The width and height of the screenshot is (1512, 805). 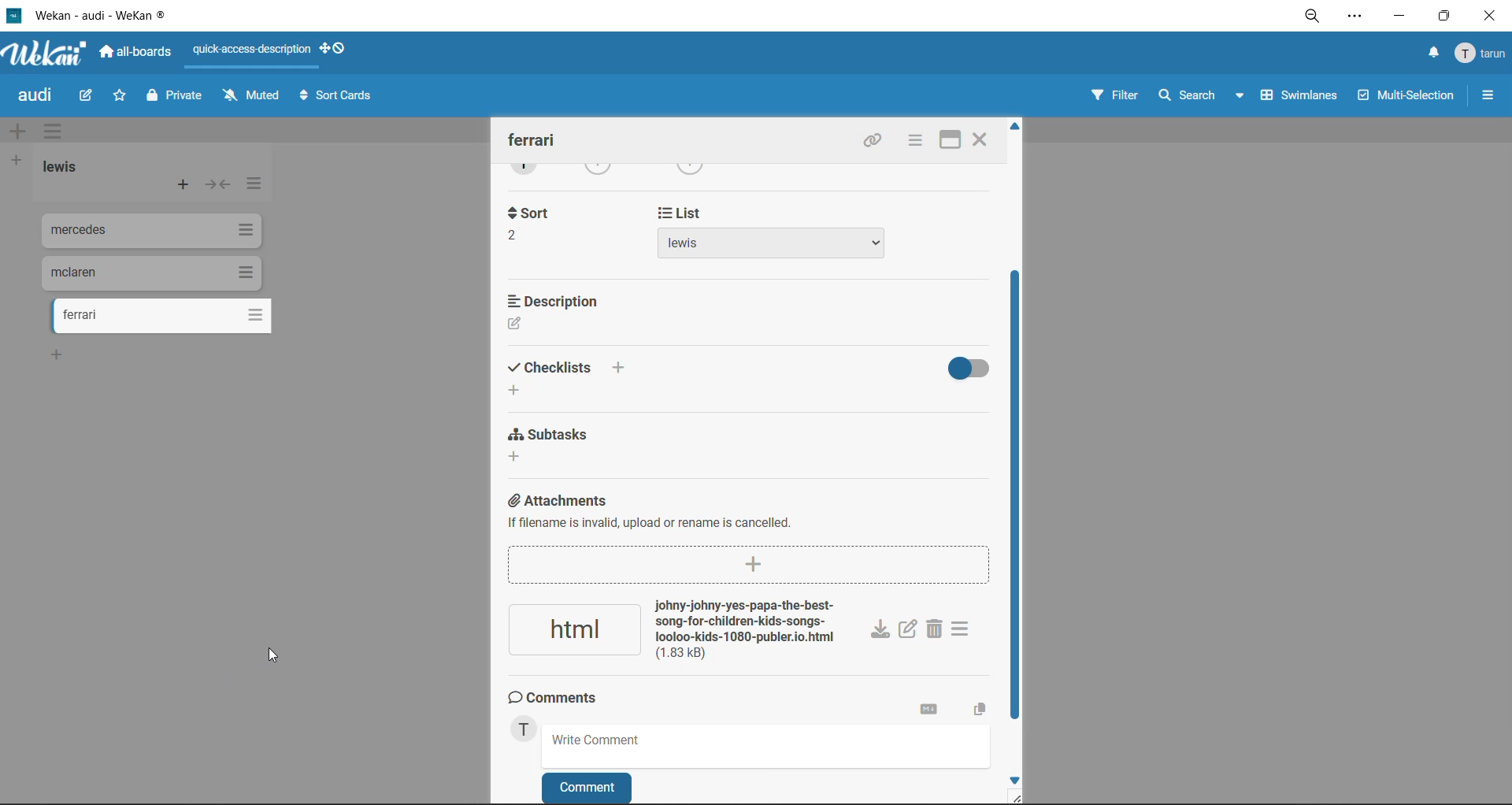 What do you see at coordinates (248, 97) in the screenshot?
I see `muted` at bounding box center [248, 97].